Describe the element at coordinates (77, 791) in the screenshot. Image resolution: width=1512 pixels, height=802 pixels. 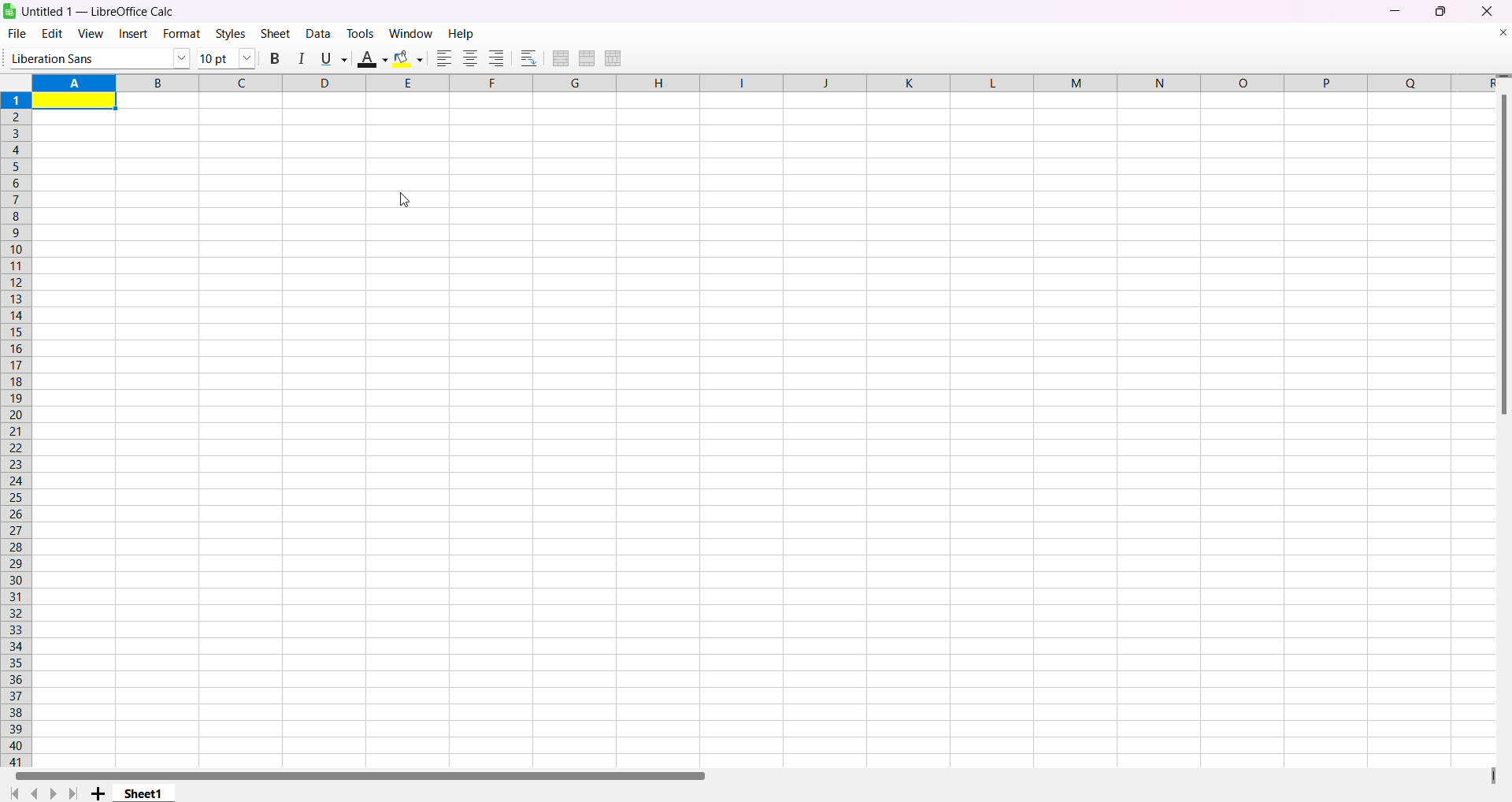
I see `last` at that location.